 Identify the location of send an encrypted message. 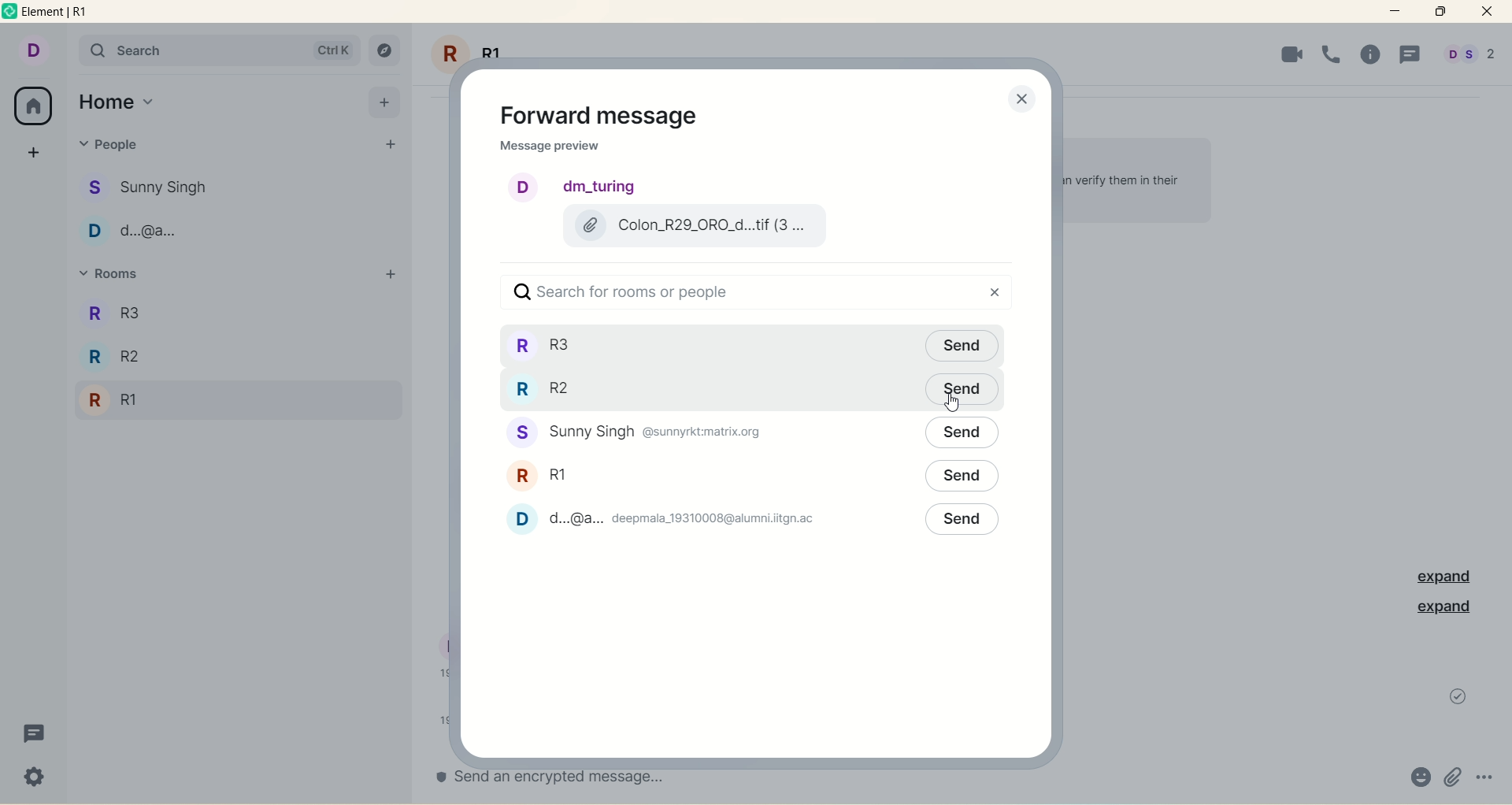
(579, 777).